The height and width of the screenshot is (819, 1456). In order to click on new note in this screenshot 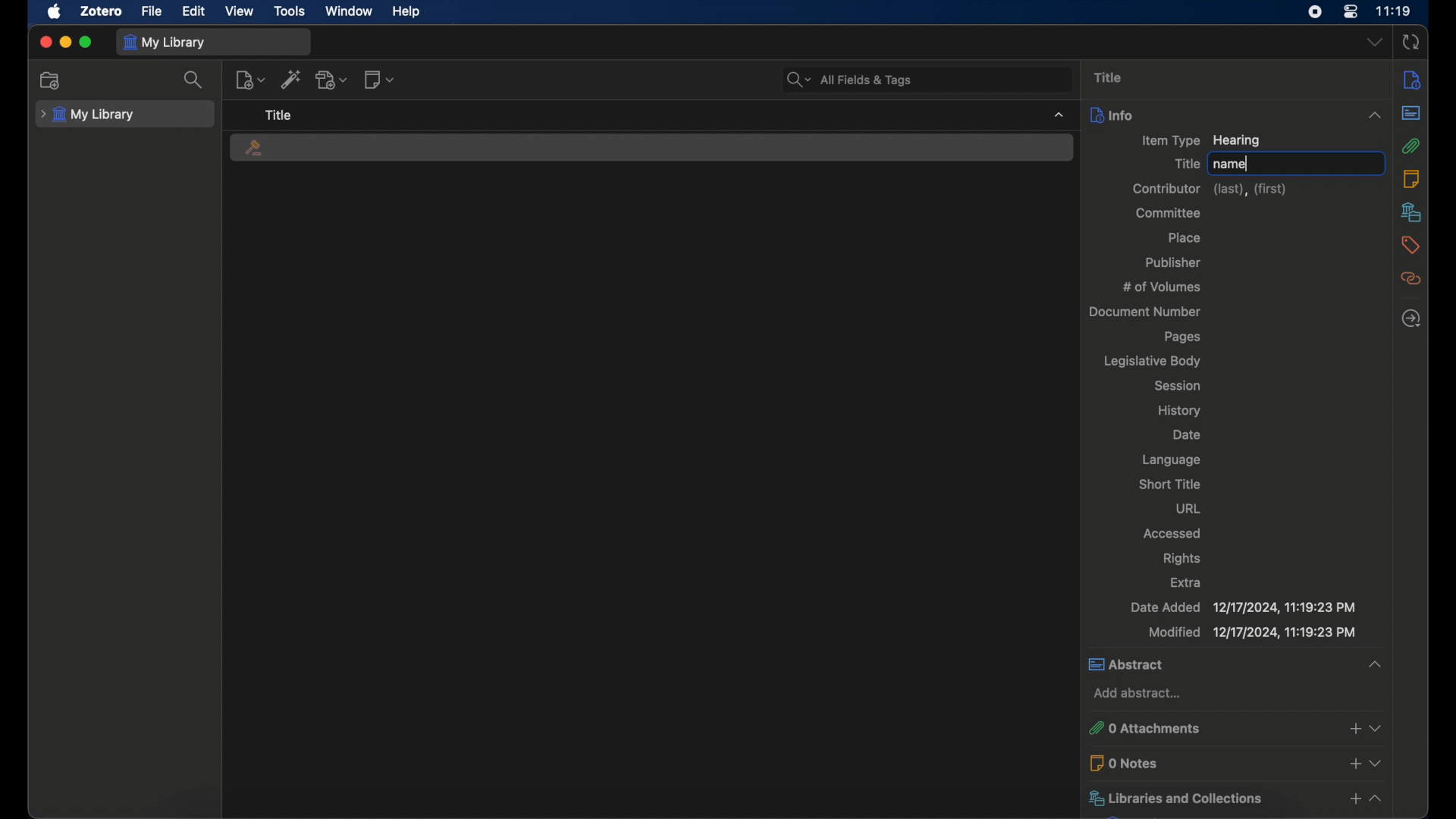, I will do `click(379, 79)`.